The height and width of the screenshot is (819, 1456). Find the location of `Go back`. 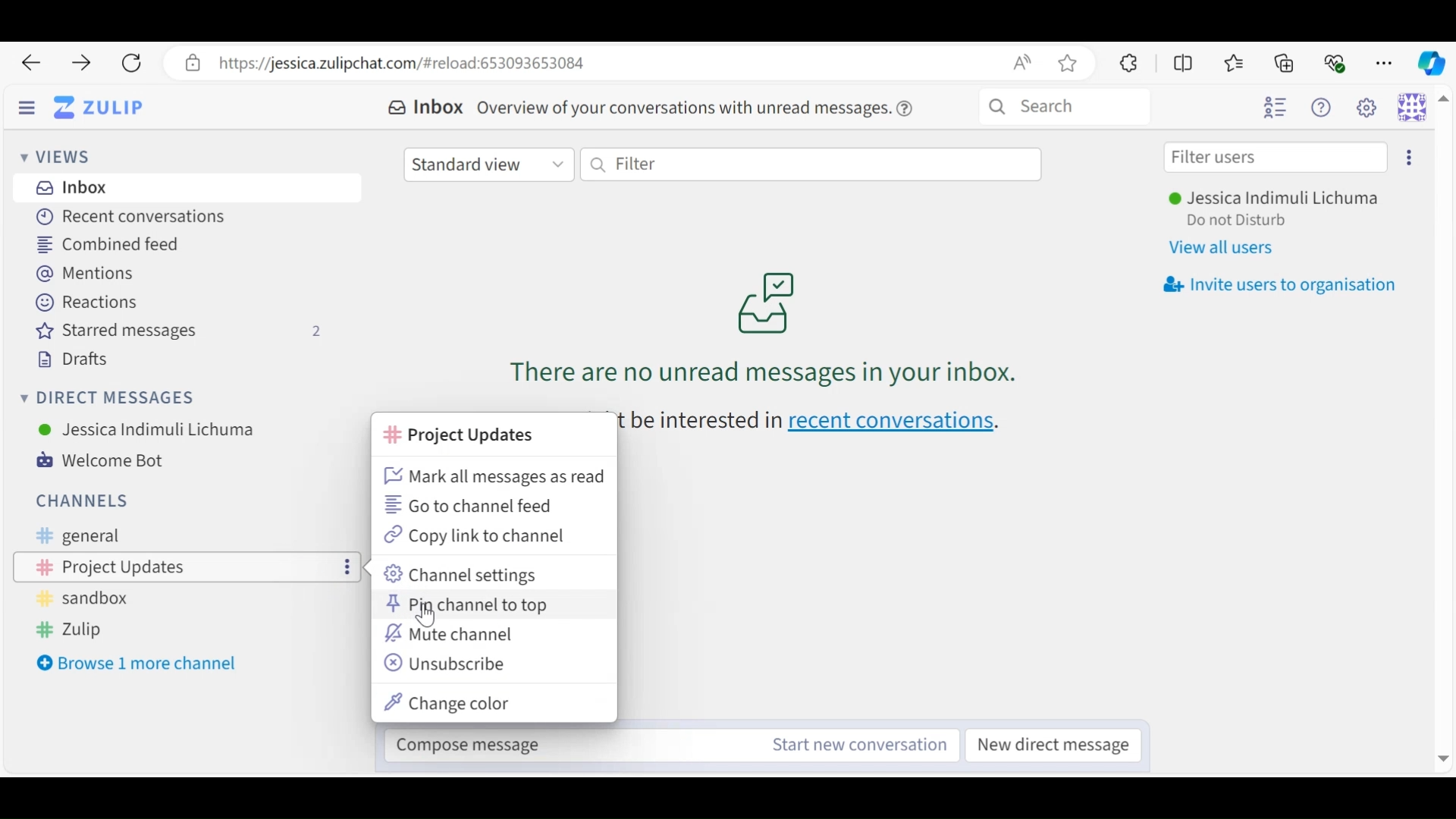

Go back is located at coordinates (30, 63).